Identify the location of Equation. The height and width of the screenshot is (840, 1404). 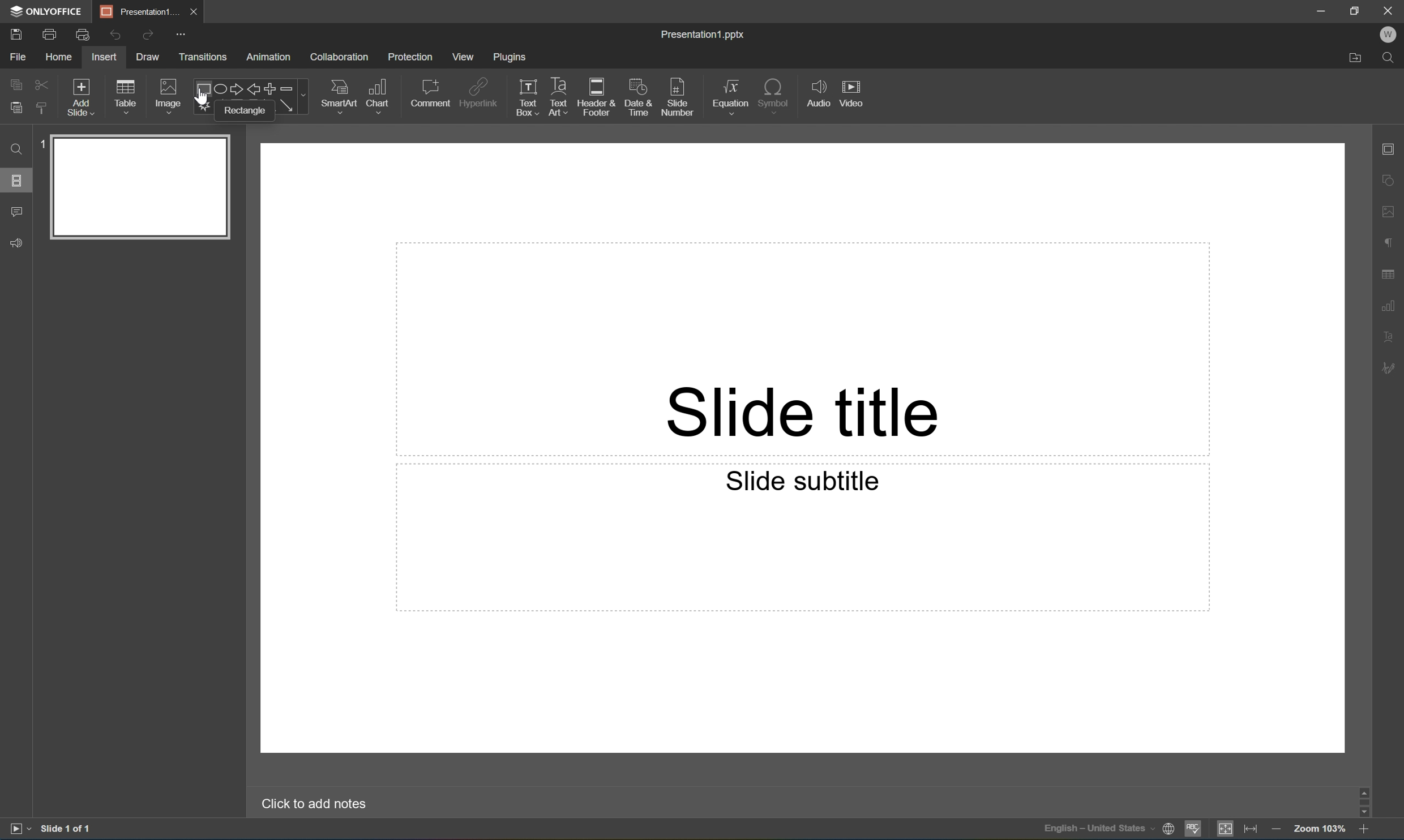
(731, 93).